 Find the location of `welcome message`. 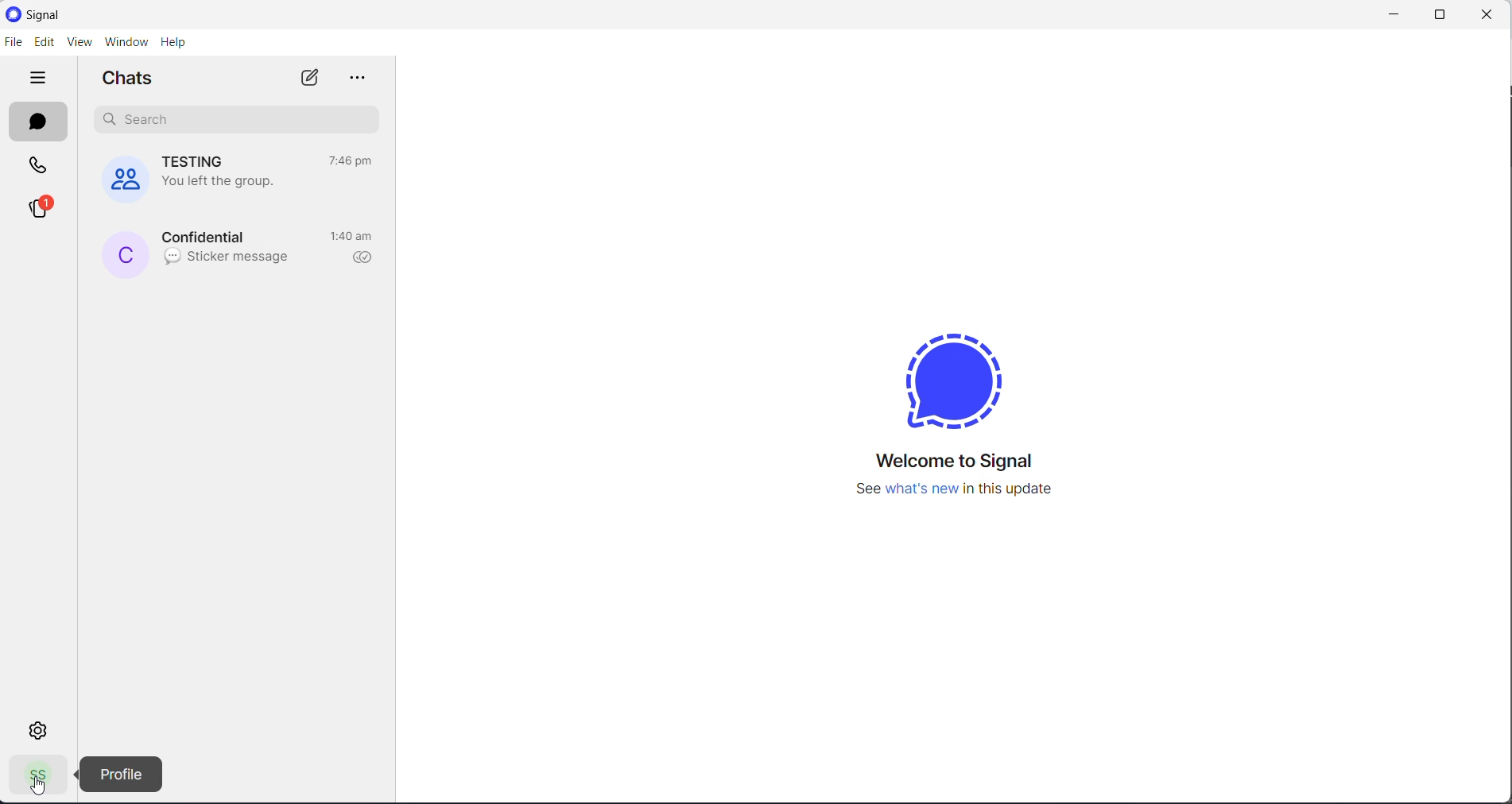

welcome message is located at coordinates (963, 462).